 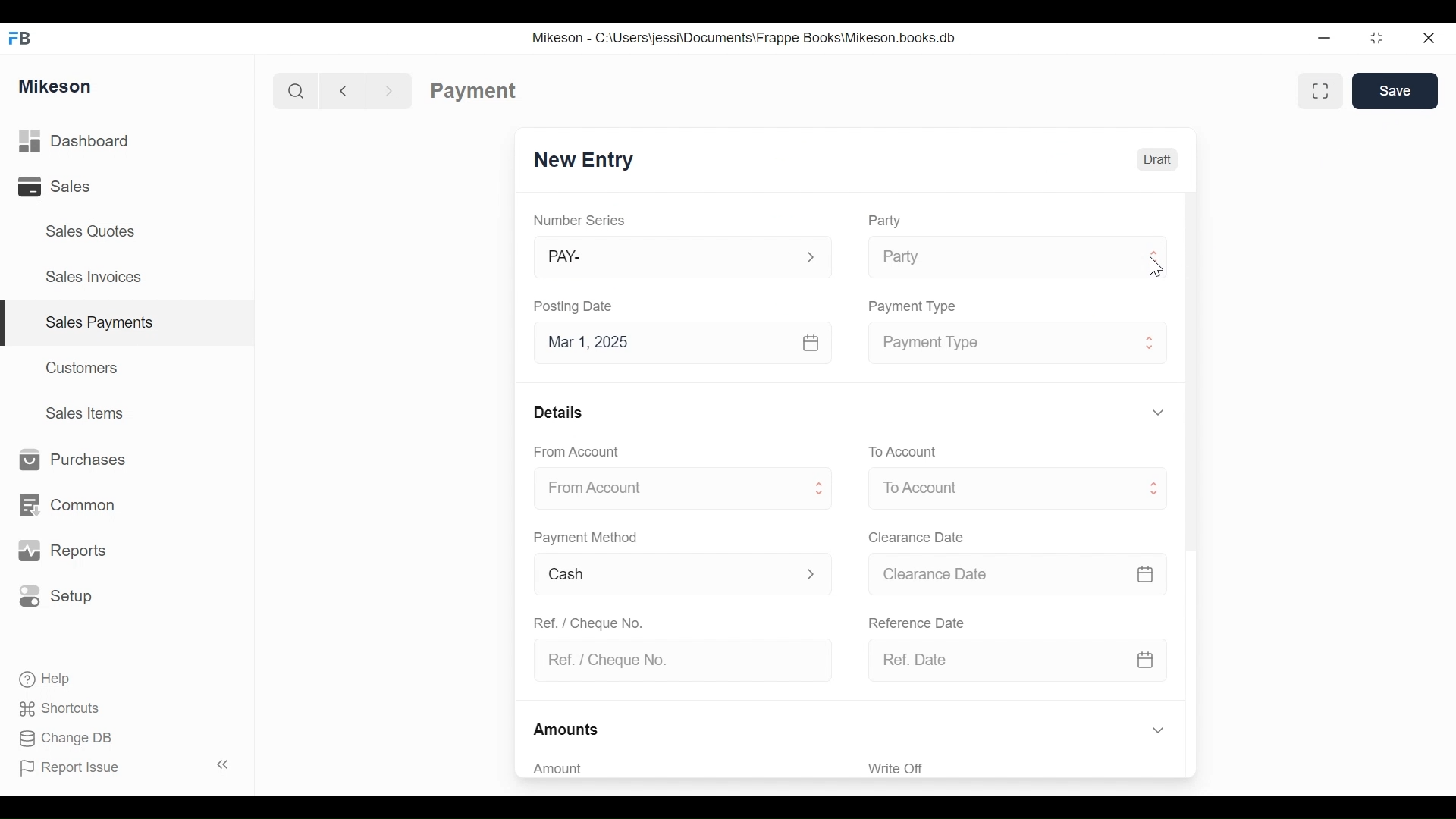 I want to click on Mikeson - C:\Users\jessi\Documents\Frappe Books\Mikeson.books.db, so click(x=745, y=38).